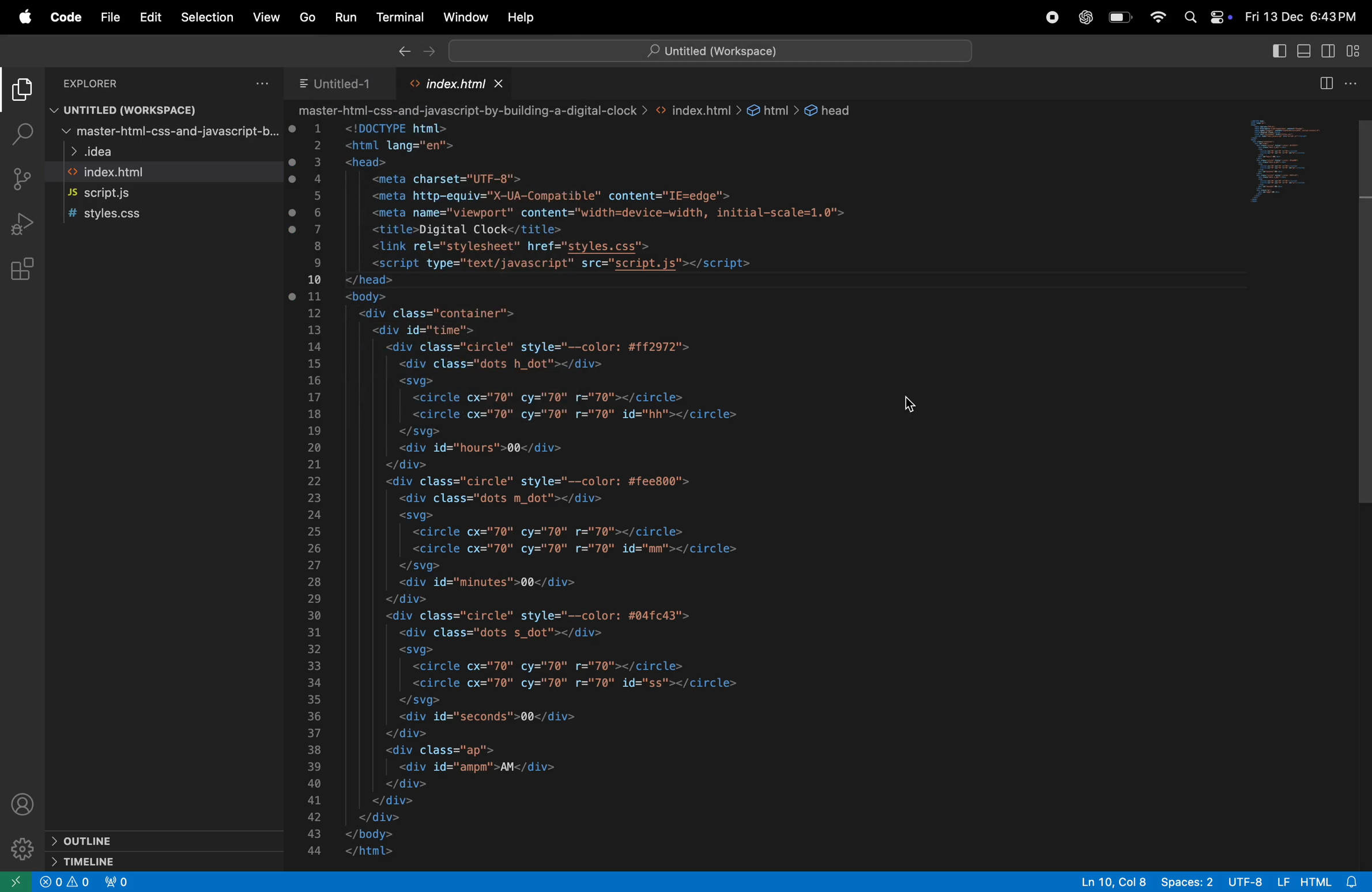 The width and height of the screenshot is (1372, 892). What do you see at coordinates (1087, 18) in the screenshot?
I see `chatgpt` at bounding box center [1087, 18].